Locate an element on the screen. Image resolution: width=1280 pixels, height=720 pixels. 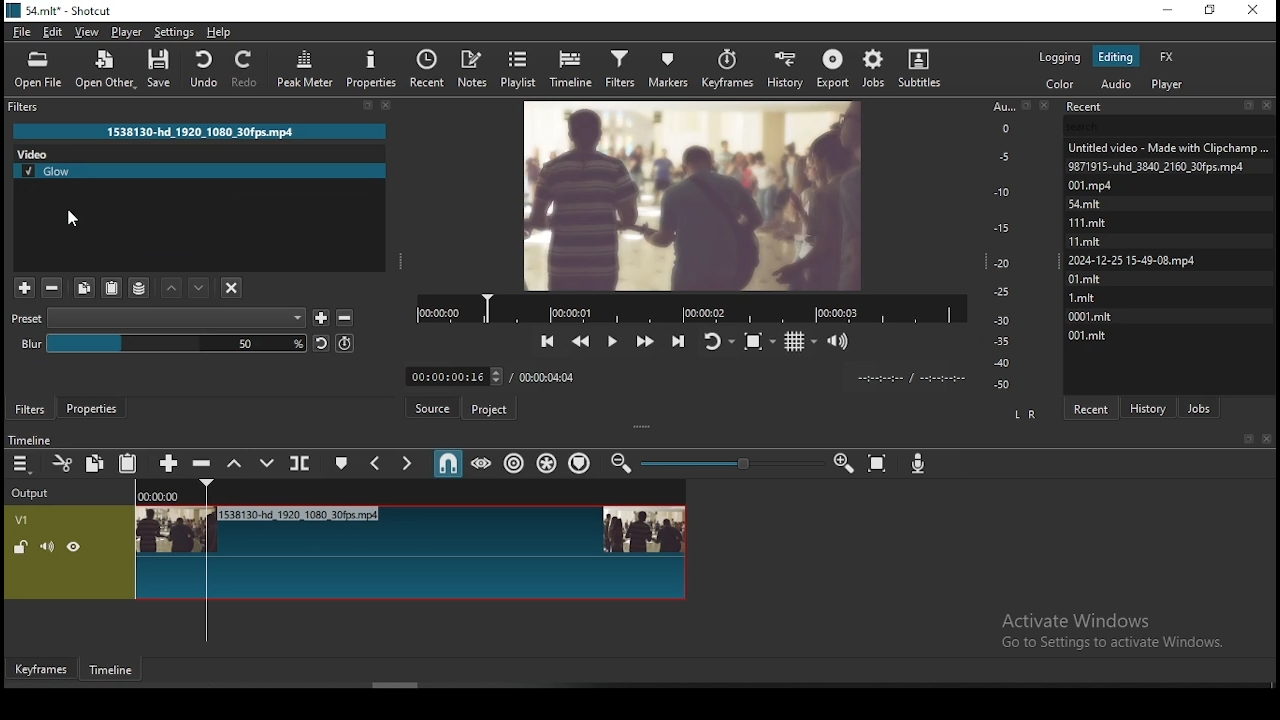
copy is located at coordinates (95, 462).